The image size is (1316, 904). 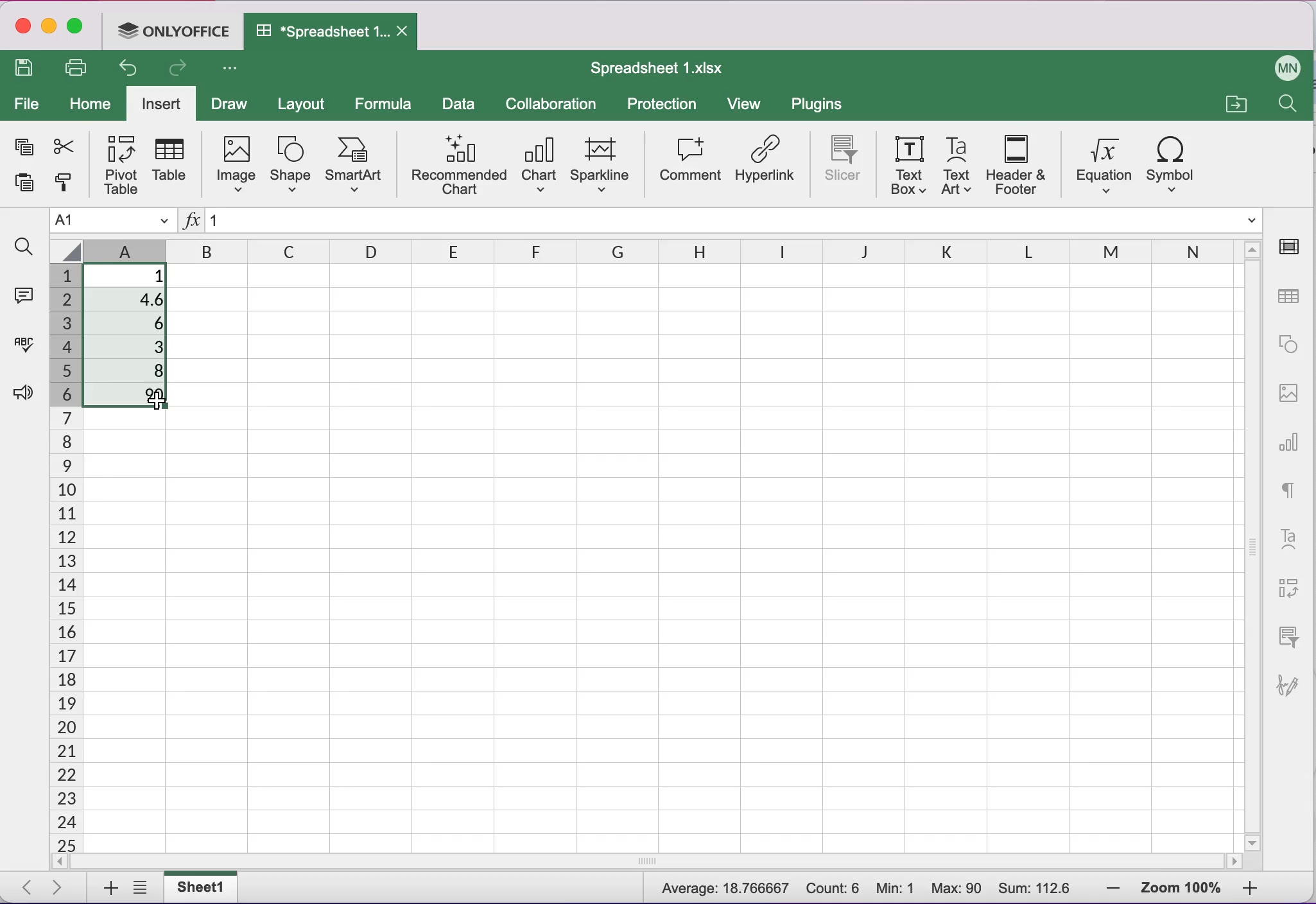 What do you see at coordinates (23, 69) in the screenshot?
I see `save` at bounding box center [23, 69].